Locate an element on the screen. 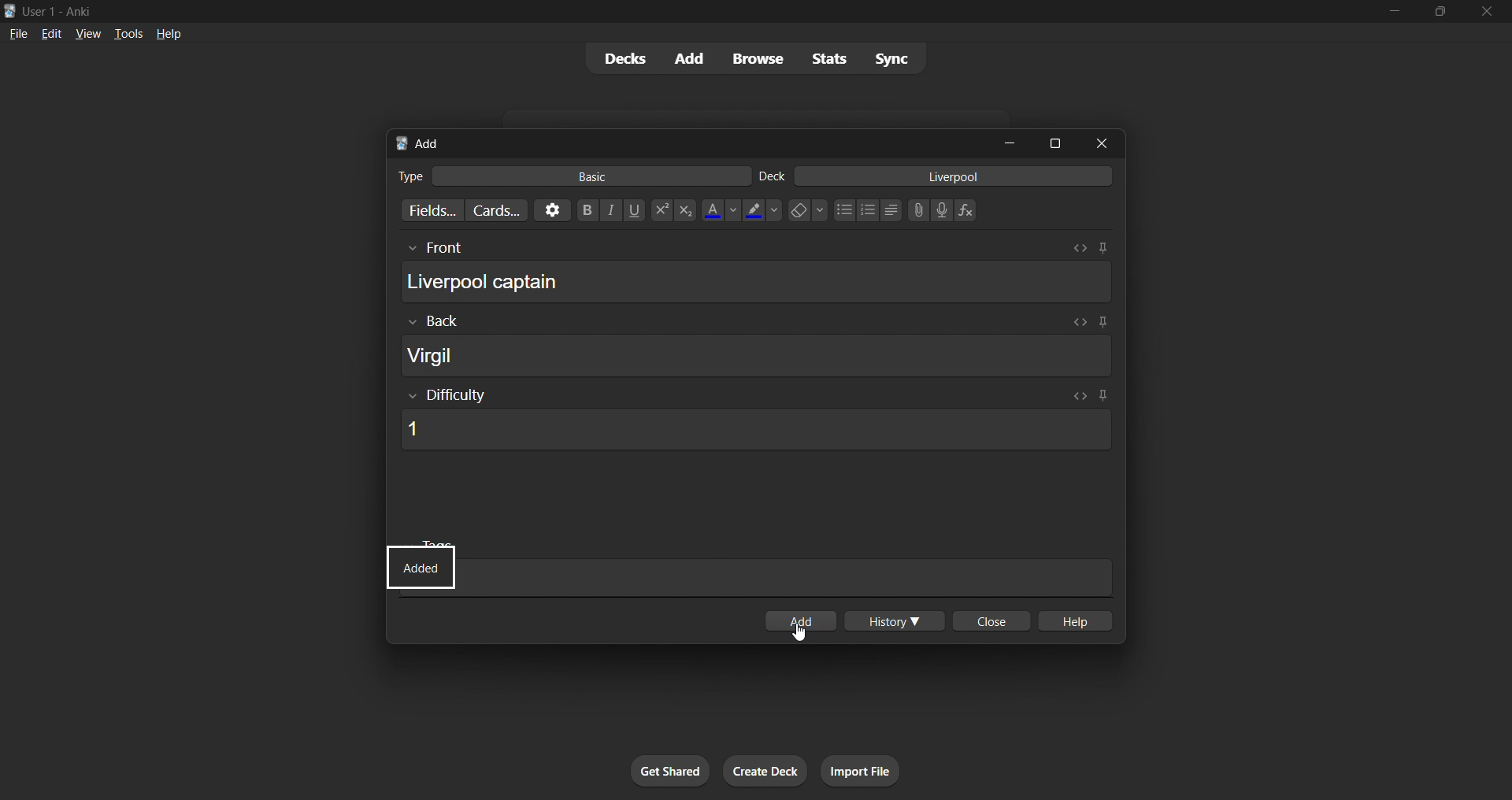 The image size is (1512, 800). close is located at coordinates (1487, 12).